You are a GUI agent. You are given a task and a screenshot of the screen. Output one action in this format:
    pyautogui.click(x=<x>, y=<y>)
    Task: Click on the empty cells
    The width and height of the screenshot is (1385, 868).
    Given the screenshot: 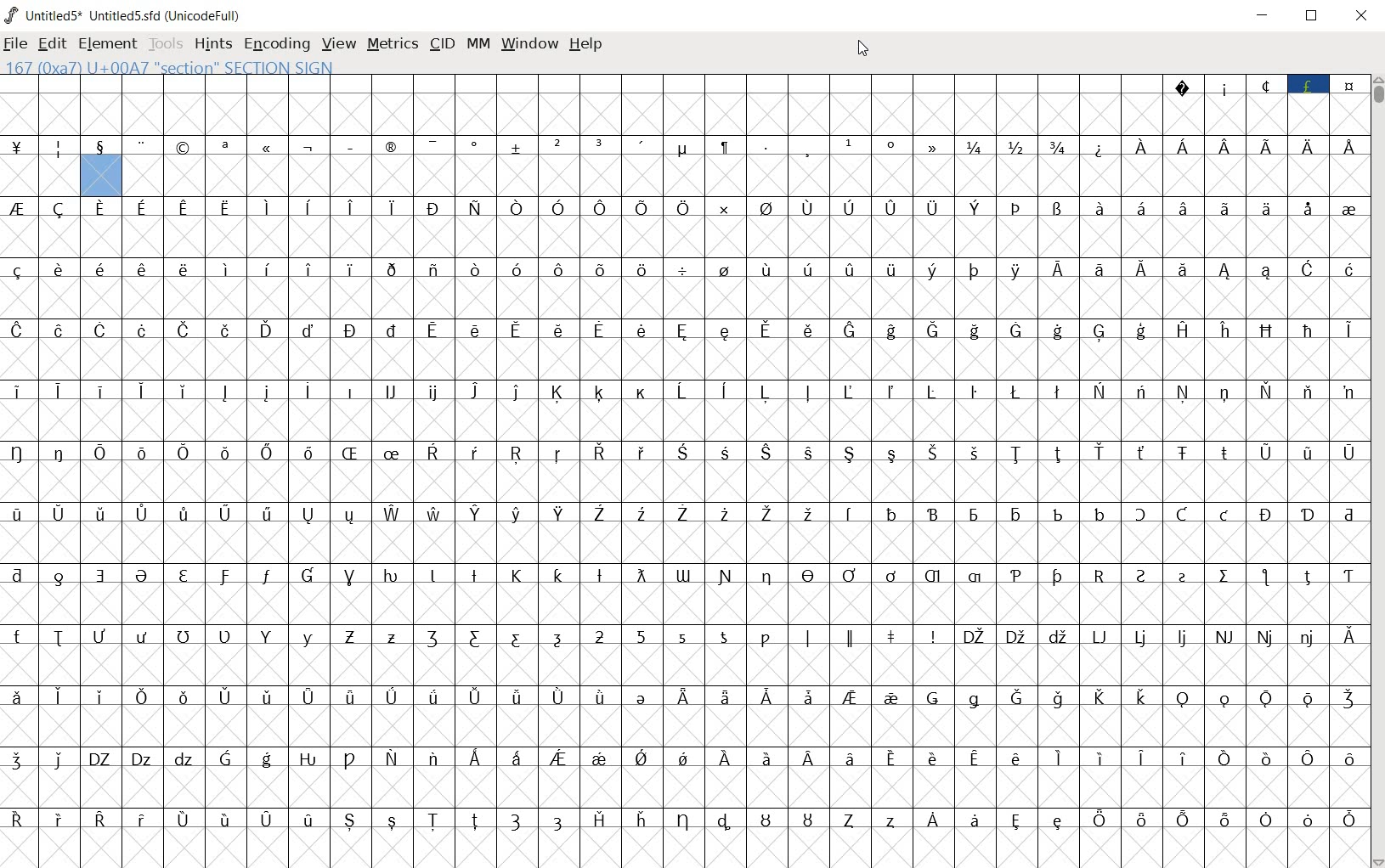 What is the action you would take?
    pyautogui.click(x=686, y=724)
    